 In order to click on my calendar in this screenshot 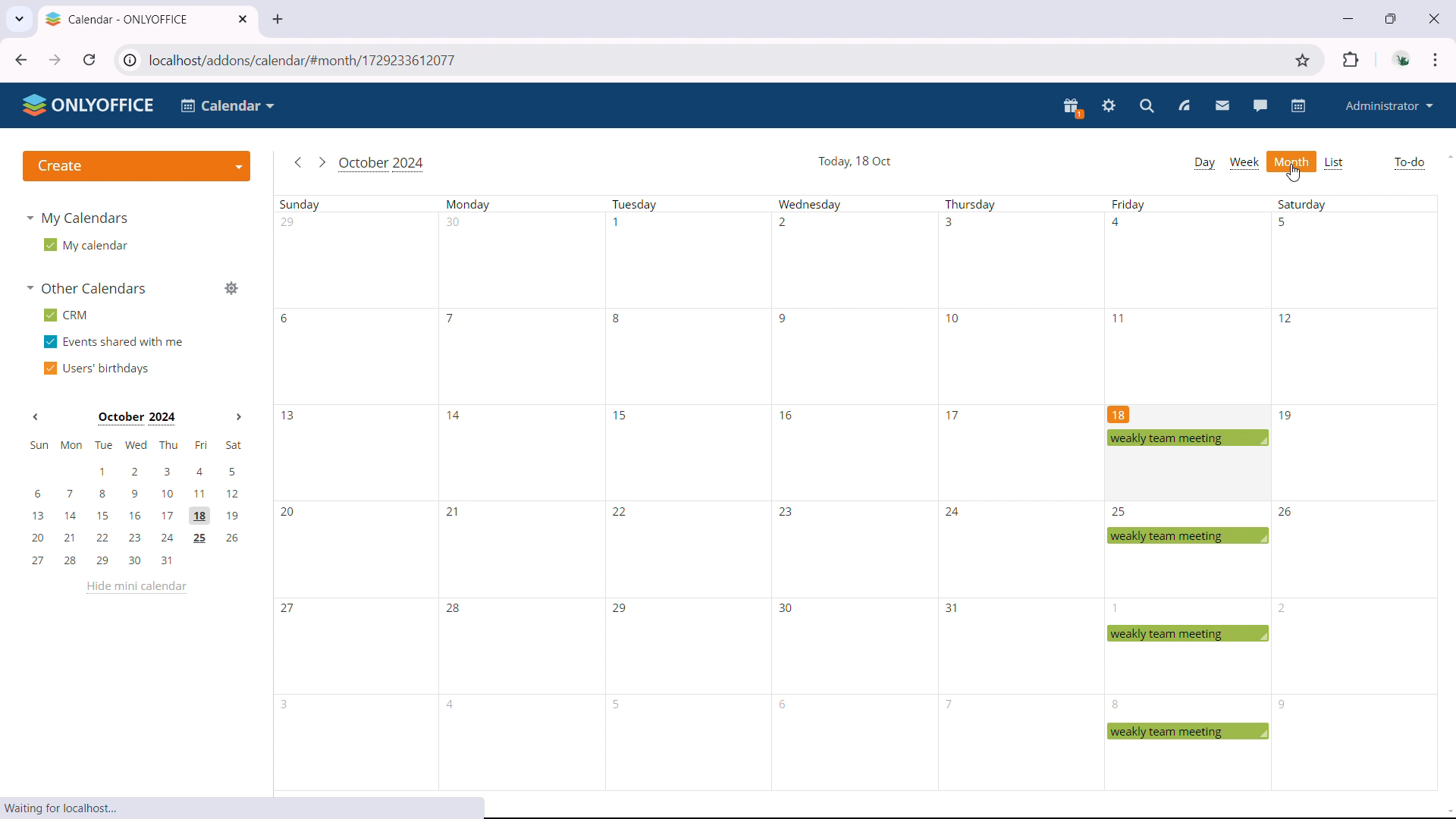, I will do `click(85, 244)`.